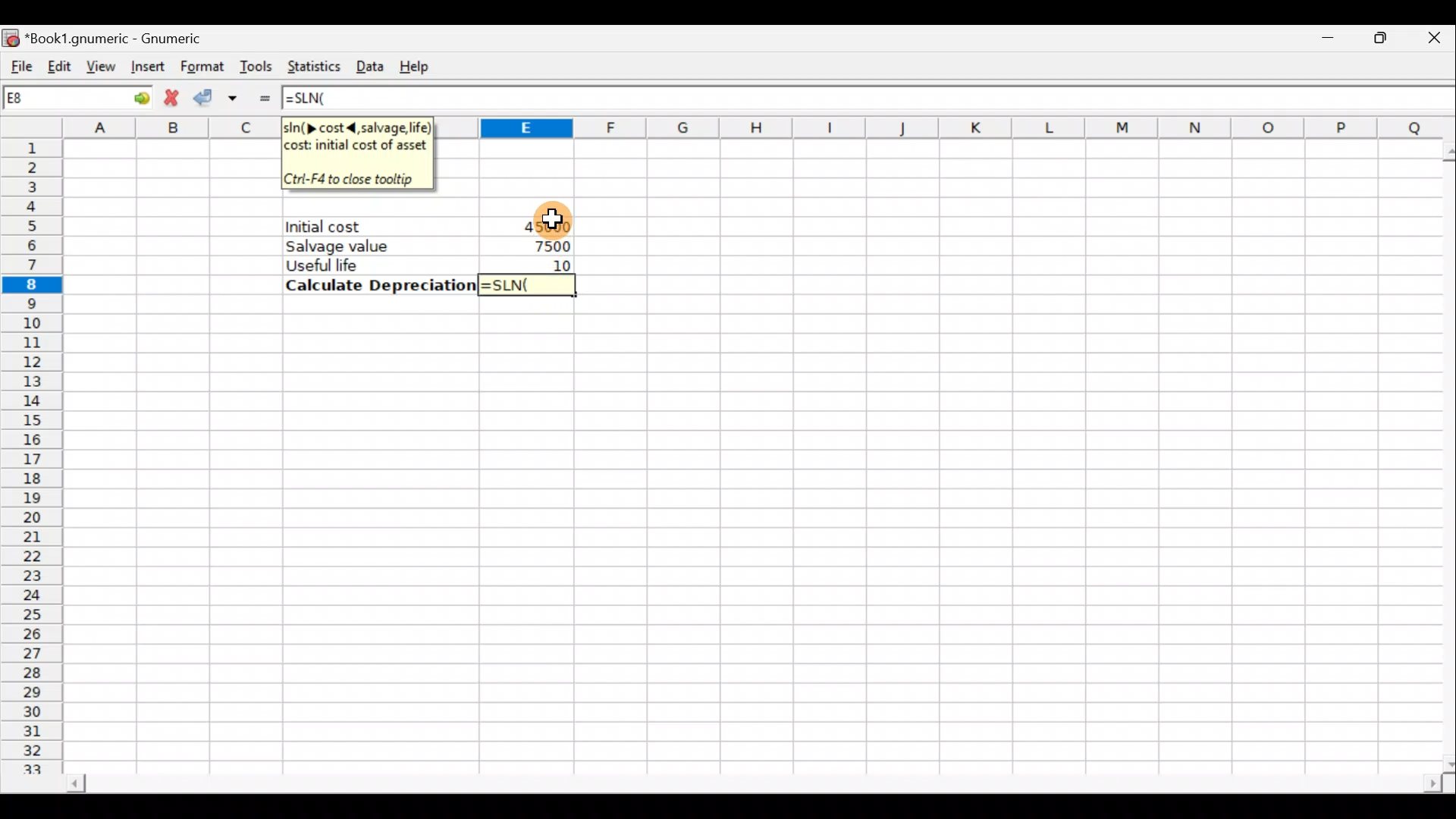 Image resolution: width=1456 pixels, height=819 pixels. I want to click on Format, so click(200, 65).